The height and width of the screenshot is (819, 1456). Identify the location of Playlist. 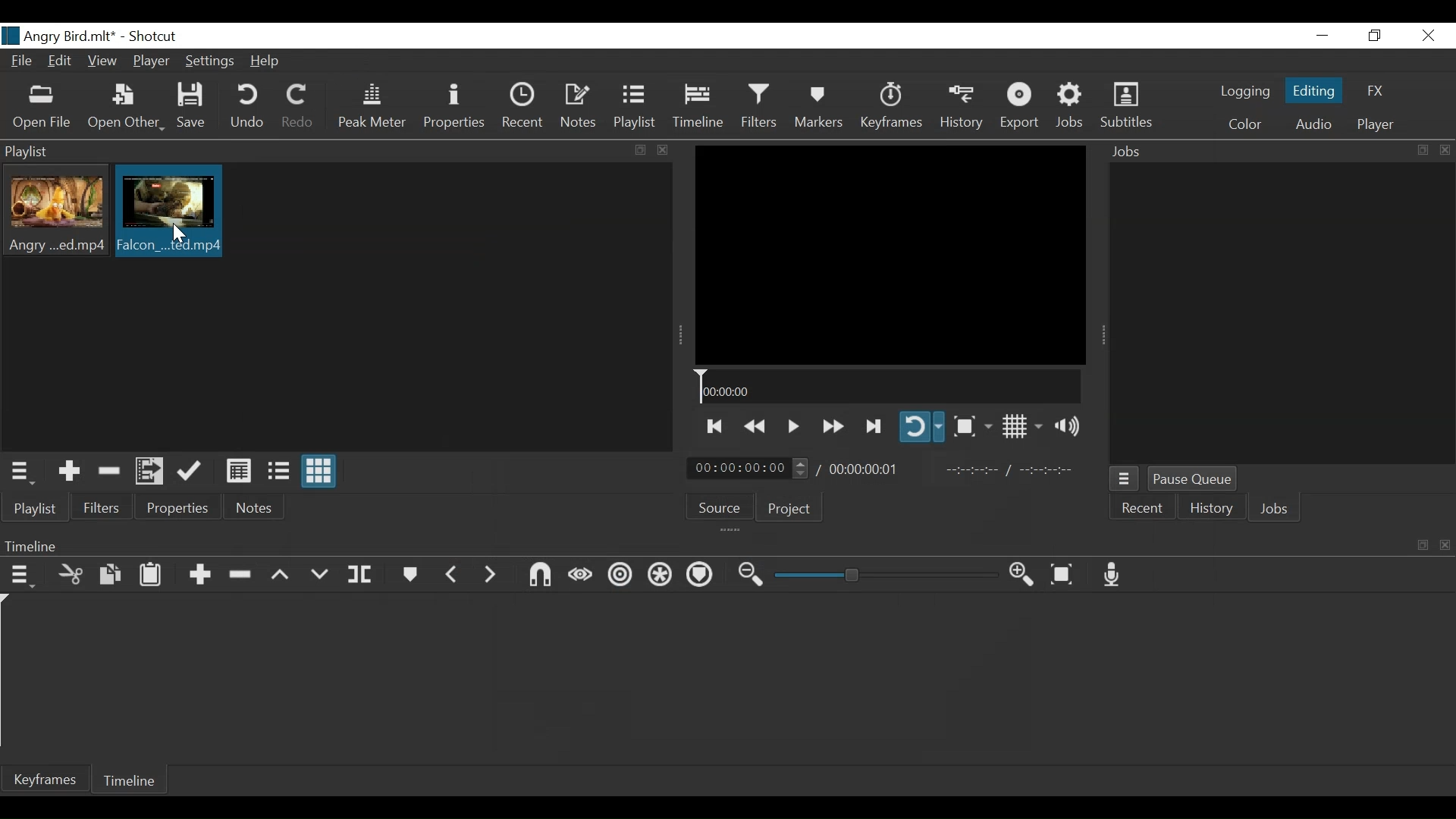
(36, 508).